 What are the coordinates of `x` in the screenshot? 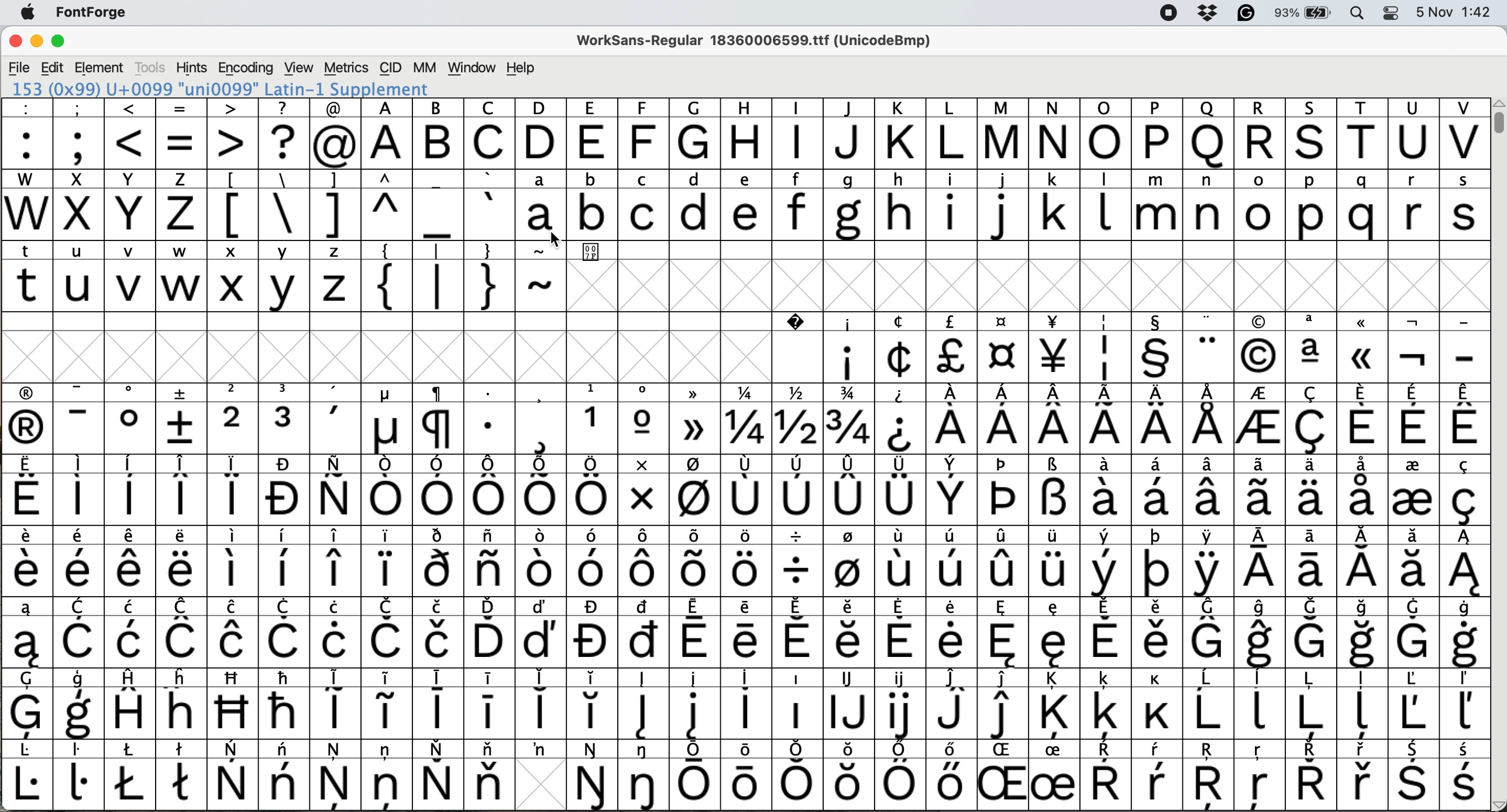 It's located at (78, 205).